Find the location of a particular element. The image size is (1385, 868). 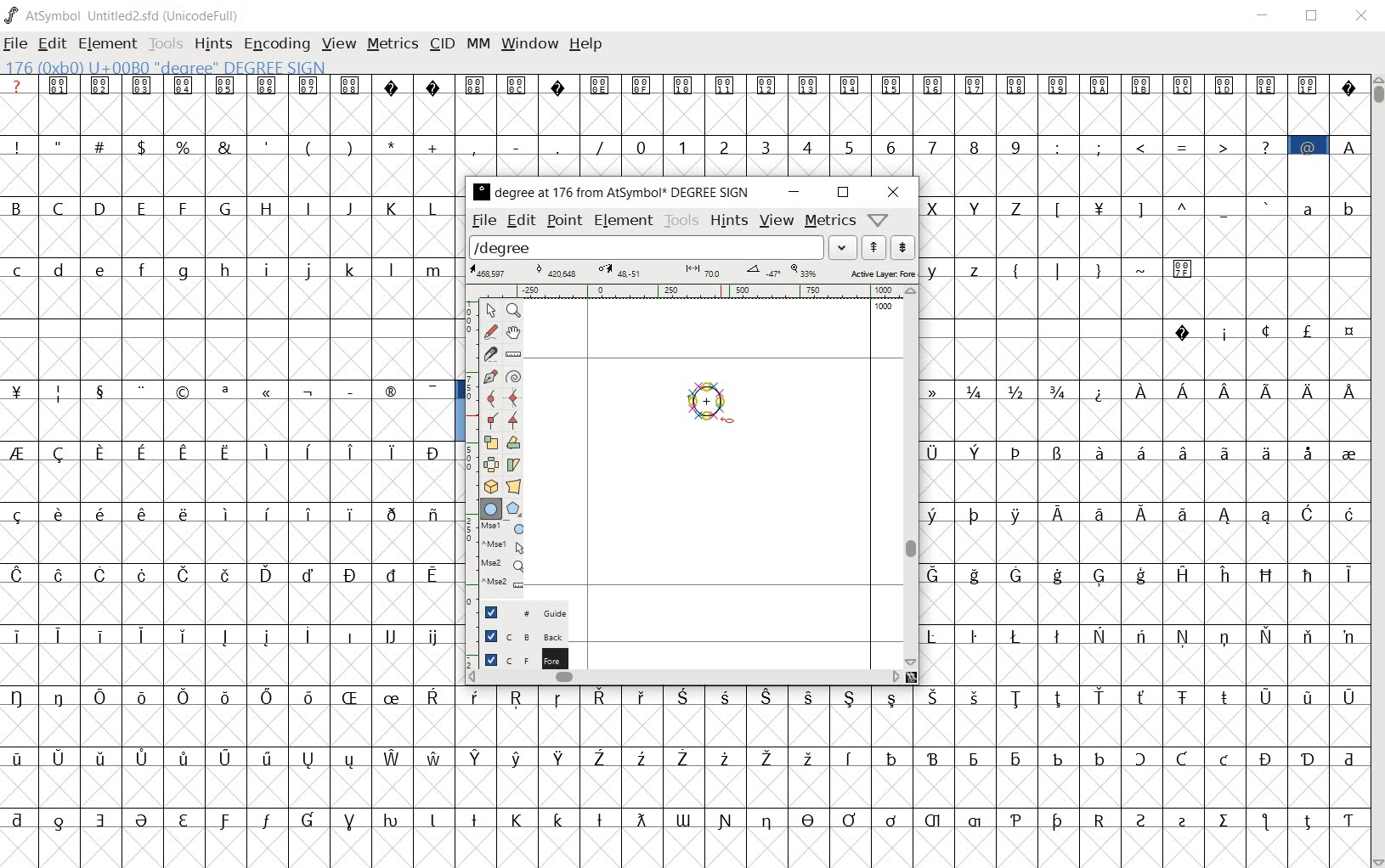

change whether spiro is active or not is located at coordinates (513, 375).